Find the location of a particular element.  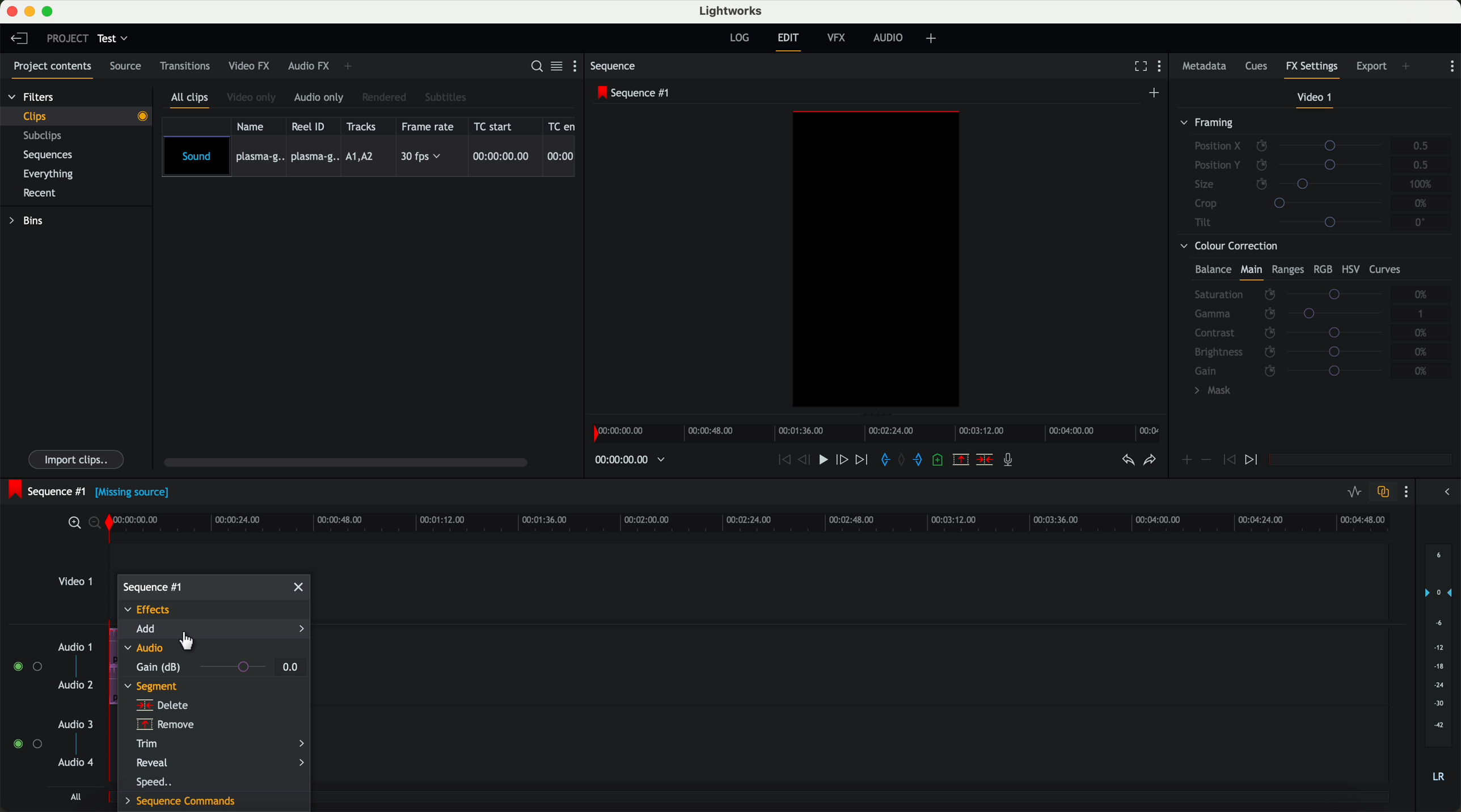

sequence commands is located at coordinates (183, 800).